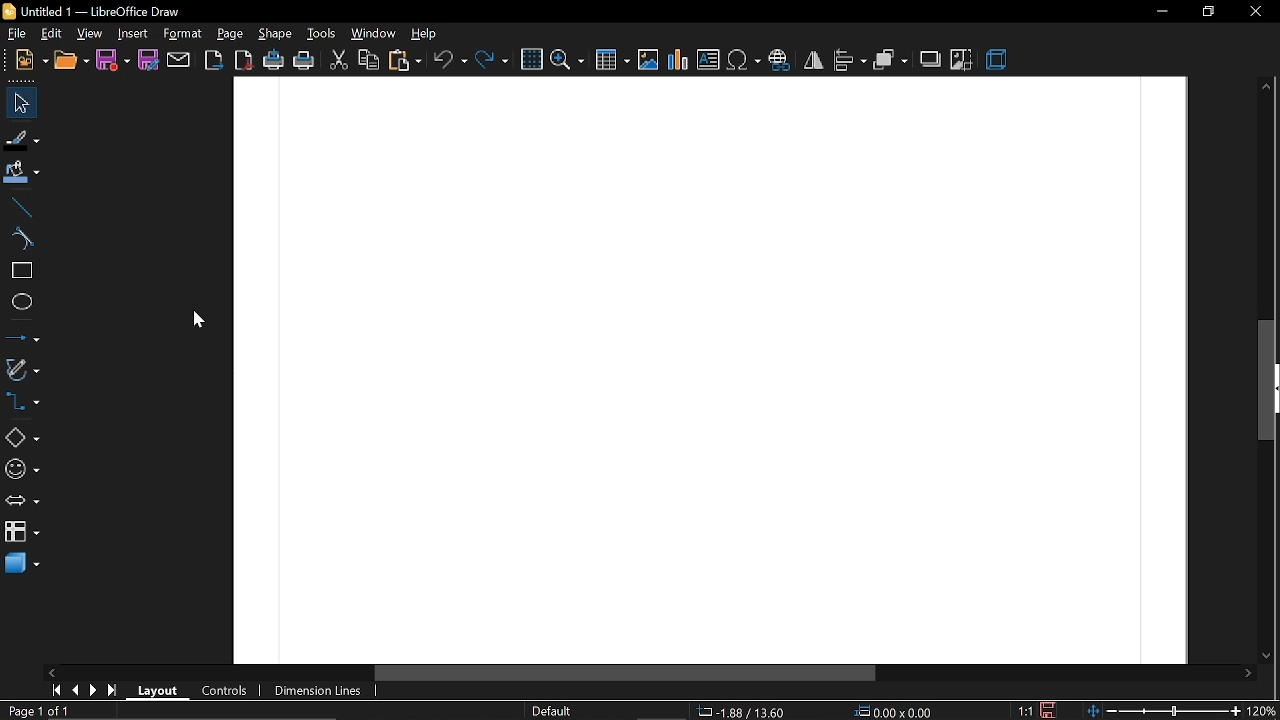 This screenshot has width=1280, height=720. I want to click on export as pdf, so click(244, 59).